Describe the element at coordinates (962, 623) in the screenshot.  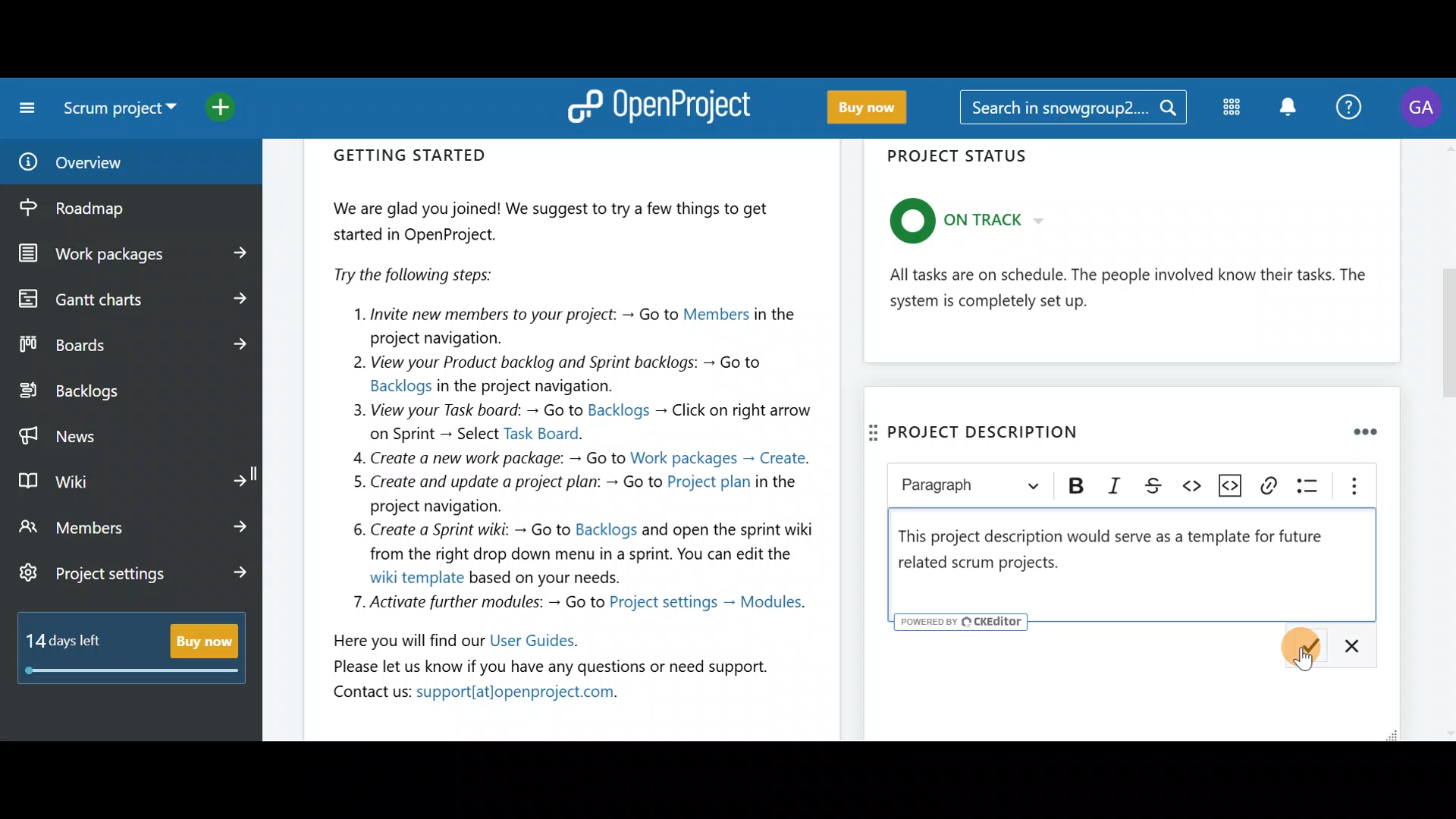
I see `powered by CKEditor` at that location.